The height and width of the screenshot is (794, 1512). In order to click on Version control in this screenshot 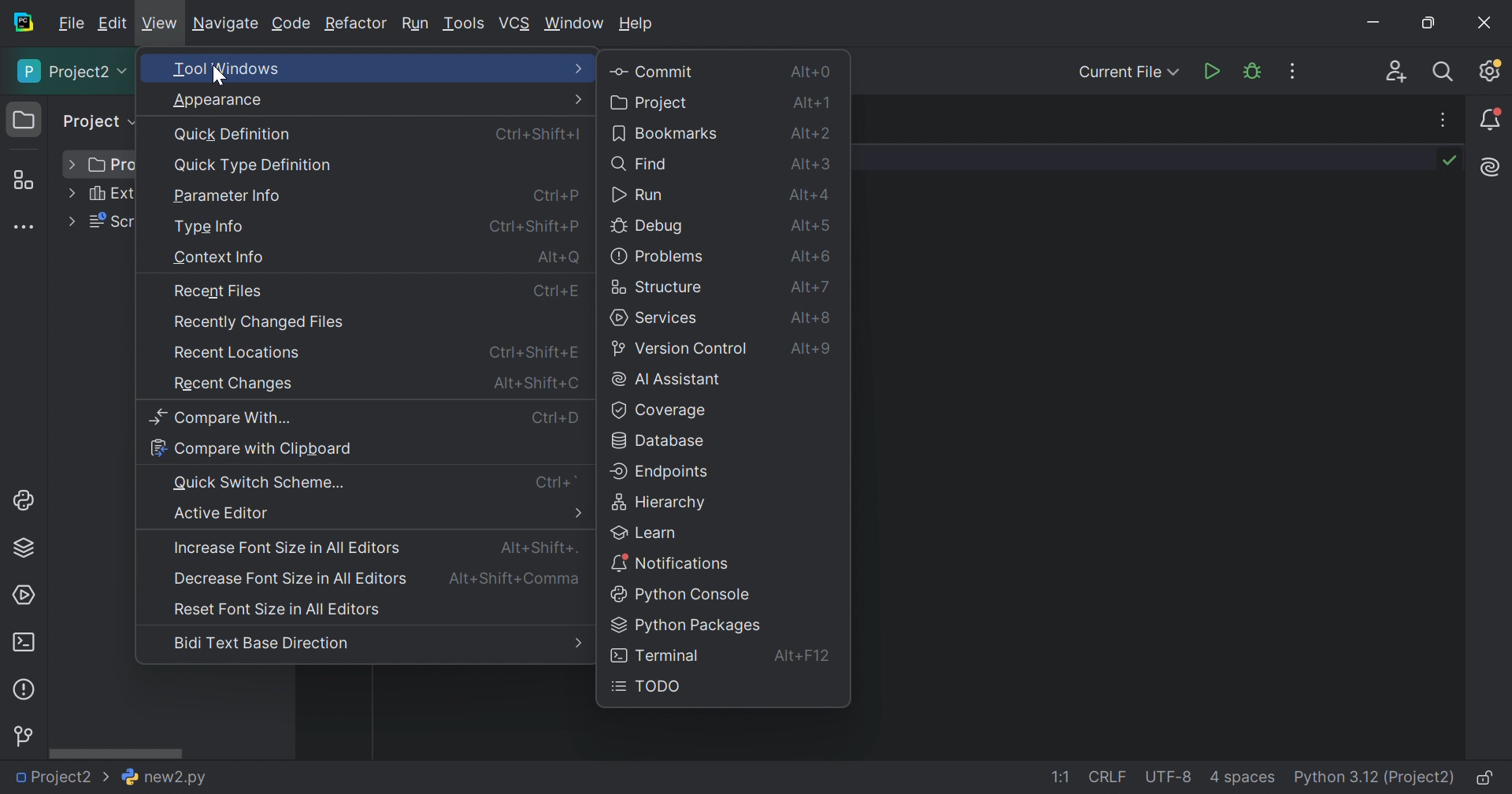, I will do `click(684, 348)`.